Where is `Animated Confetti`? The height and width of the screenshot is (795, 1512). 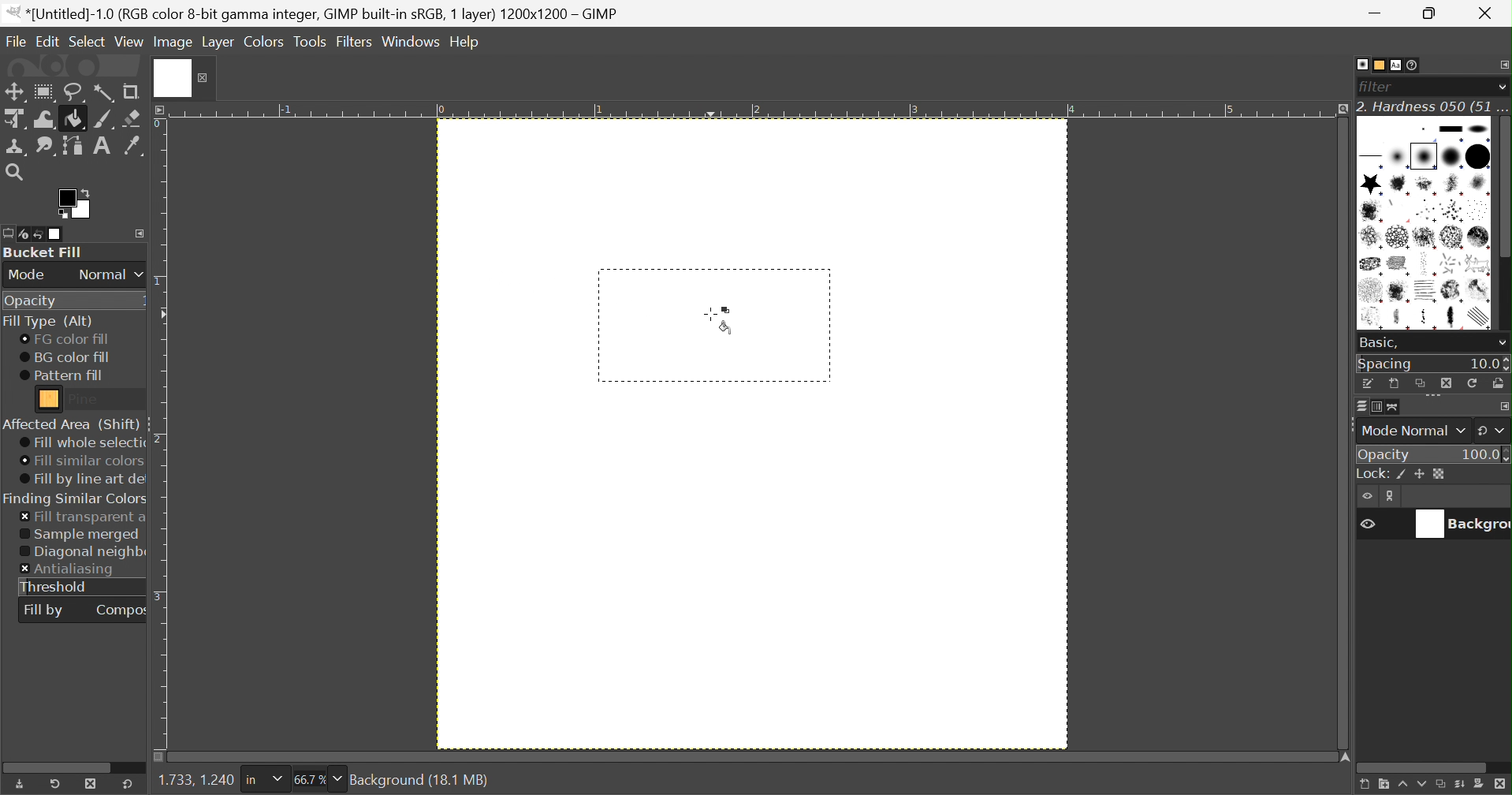
Animated Confetti is located at coordinates (1398, 211).